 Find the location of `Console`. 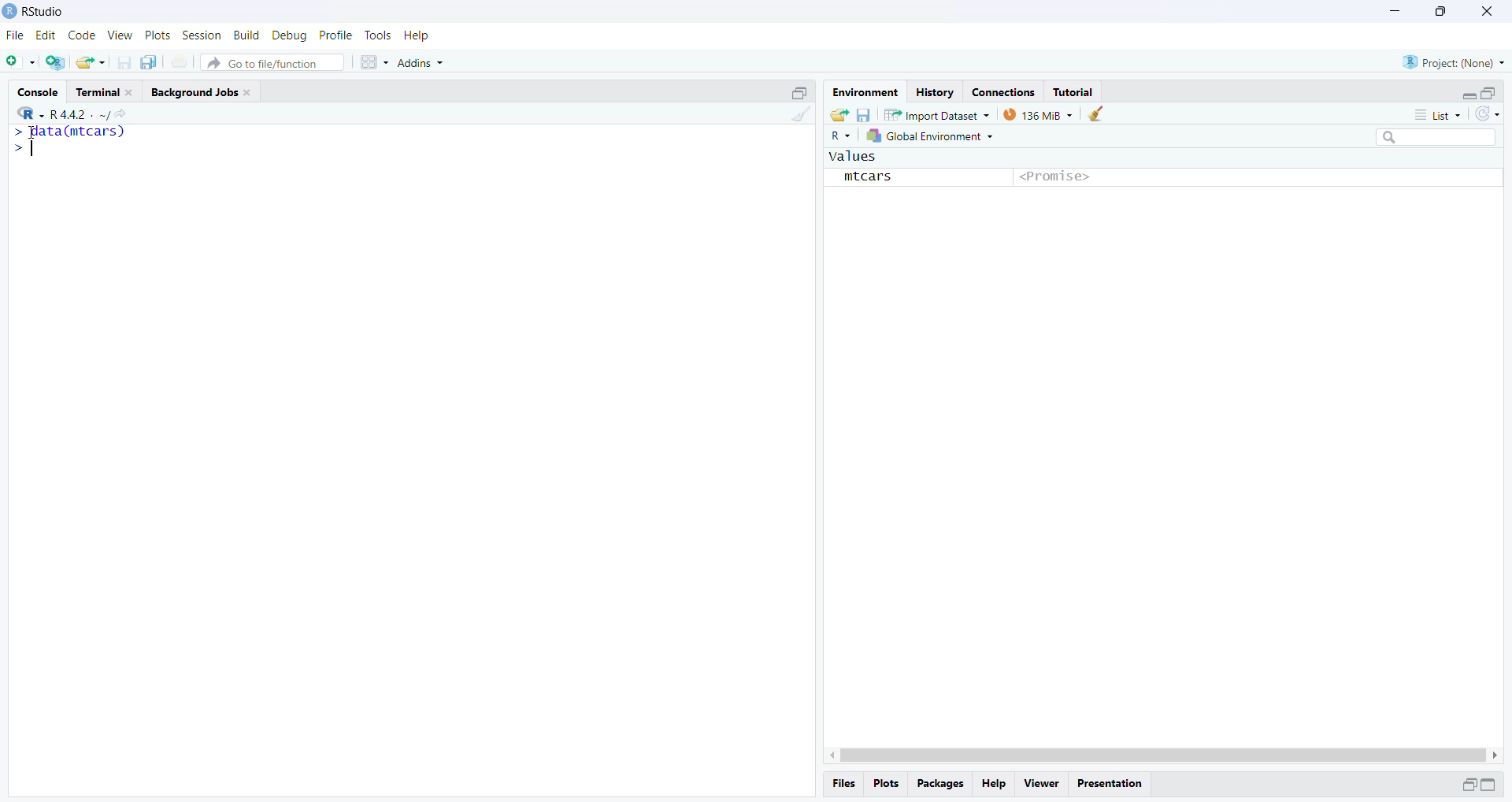

Console is located at coordinates (40, 91).